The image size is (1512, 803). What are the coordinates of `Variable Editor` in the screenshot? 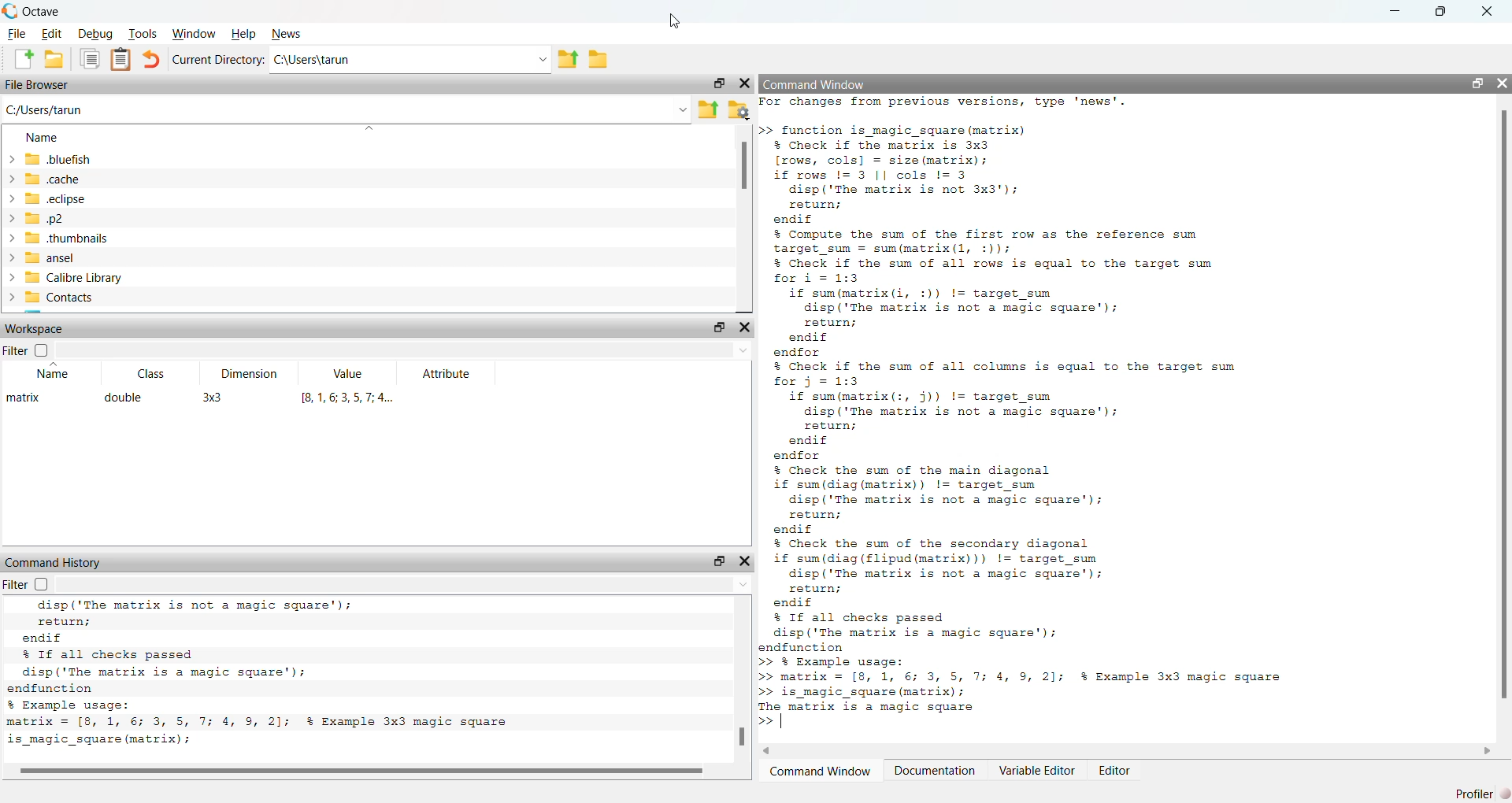 It's located at (1038, 770).